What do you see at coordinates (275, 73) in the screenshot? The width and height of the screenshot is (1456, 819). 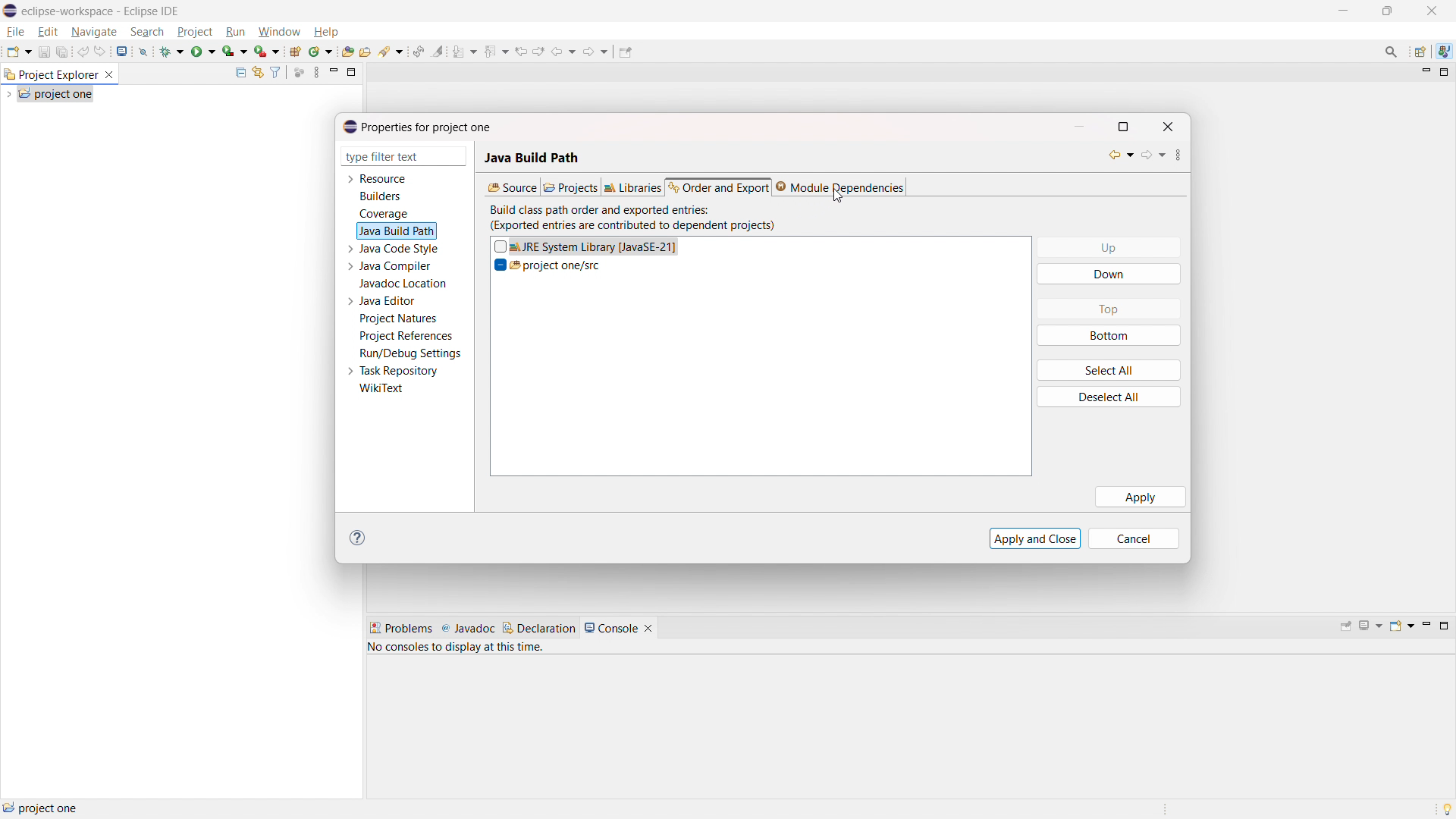 I see `select and deselect filters` at bounding box center [275, 73].